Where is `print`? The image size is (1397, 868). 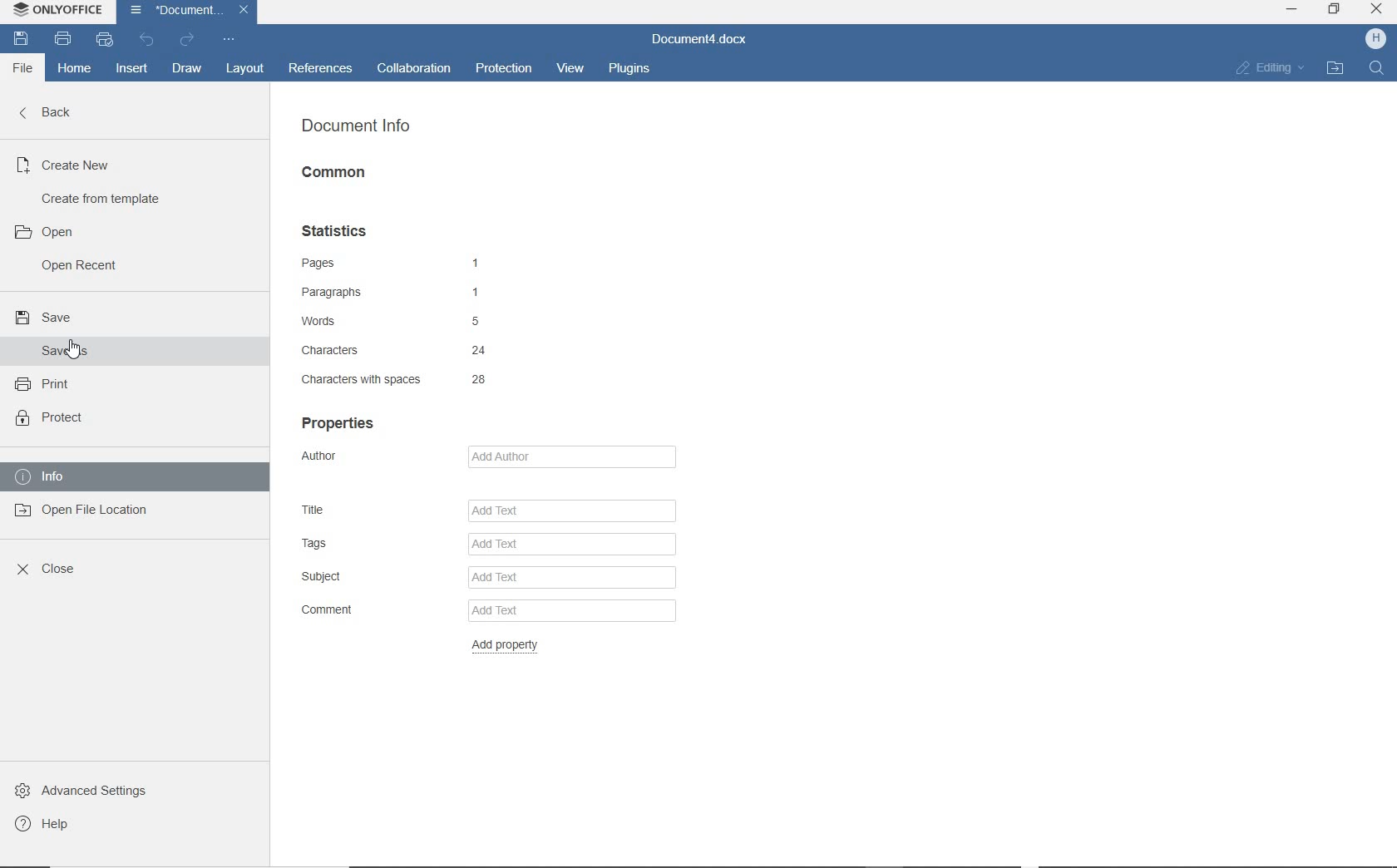 print is located at coordinates (44, 384).